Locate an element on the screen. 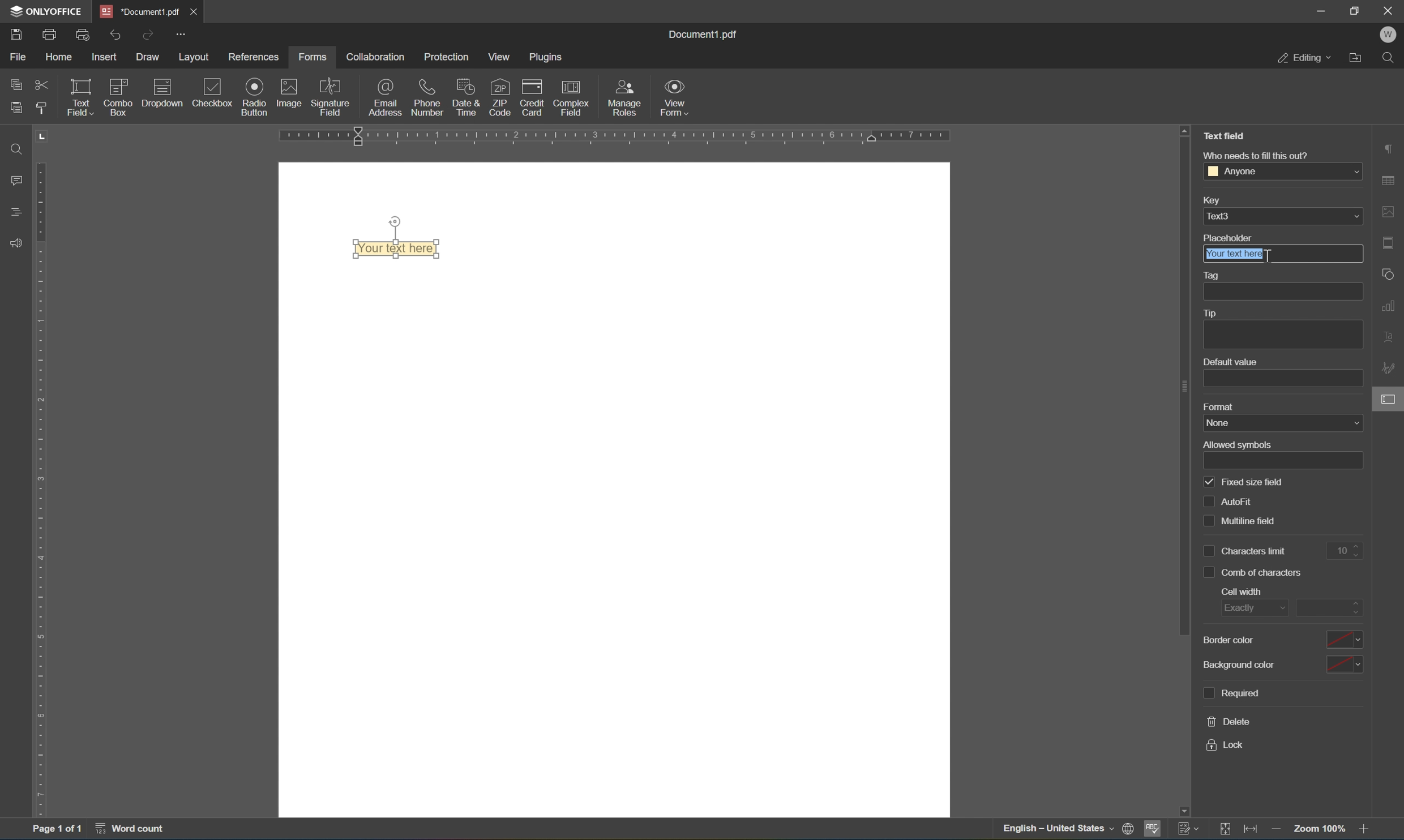 This screenshot has width=1404, height=840. ruler is located at coordinates (608, 138).